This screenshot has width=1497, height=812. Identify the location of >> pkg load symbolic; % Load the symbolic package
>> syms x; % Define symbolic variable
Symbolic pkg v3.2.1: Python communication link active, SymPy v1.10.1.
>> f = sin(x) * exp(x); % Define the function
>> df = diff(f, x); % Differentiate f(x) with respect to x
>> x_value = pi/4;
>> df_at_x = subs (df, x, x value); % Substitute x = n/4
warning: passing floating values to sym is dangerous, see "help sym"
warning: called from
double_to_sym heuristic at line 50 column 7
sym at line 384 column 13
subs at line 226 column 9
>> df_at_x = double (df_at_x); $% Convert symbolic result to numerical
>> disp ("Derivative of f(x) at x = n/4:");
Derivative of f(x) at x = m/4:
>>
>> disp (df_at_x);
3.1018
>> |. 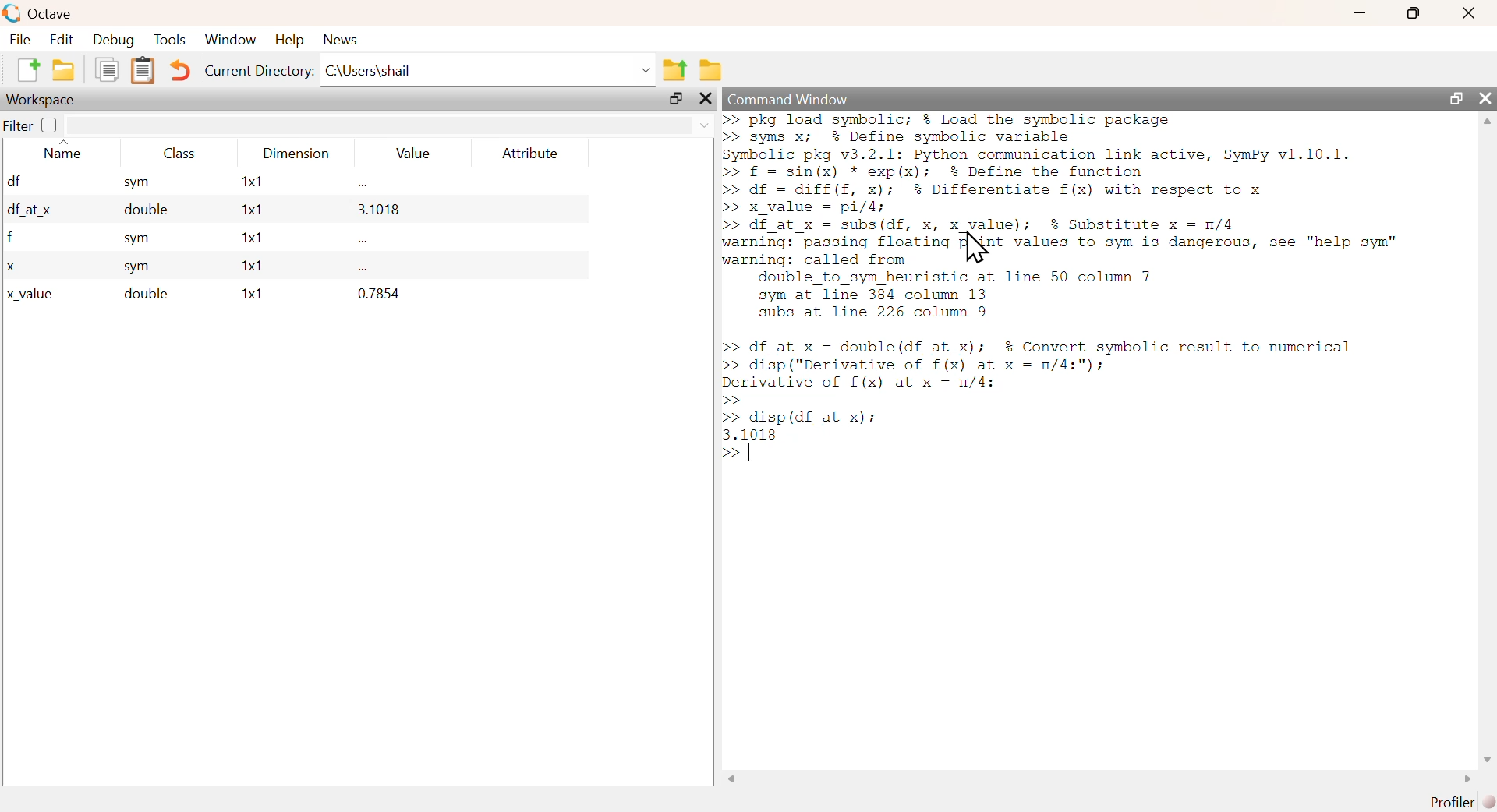
(1074, 295).